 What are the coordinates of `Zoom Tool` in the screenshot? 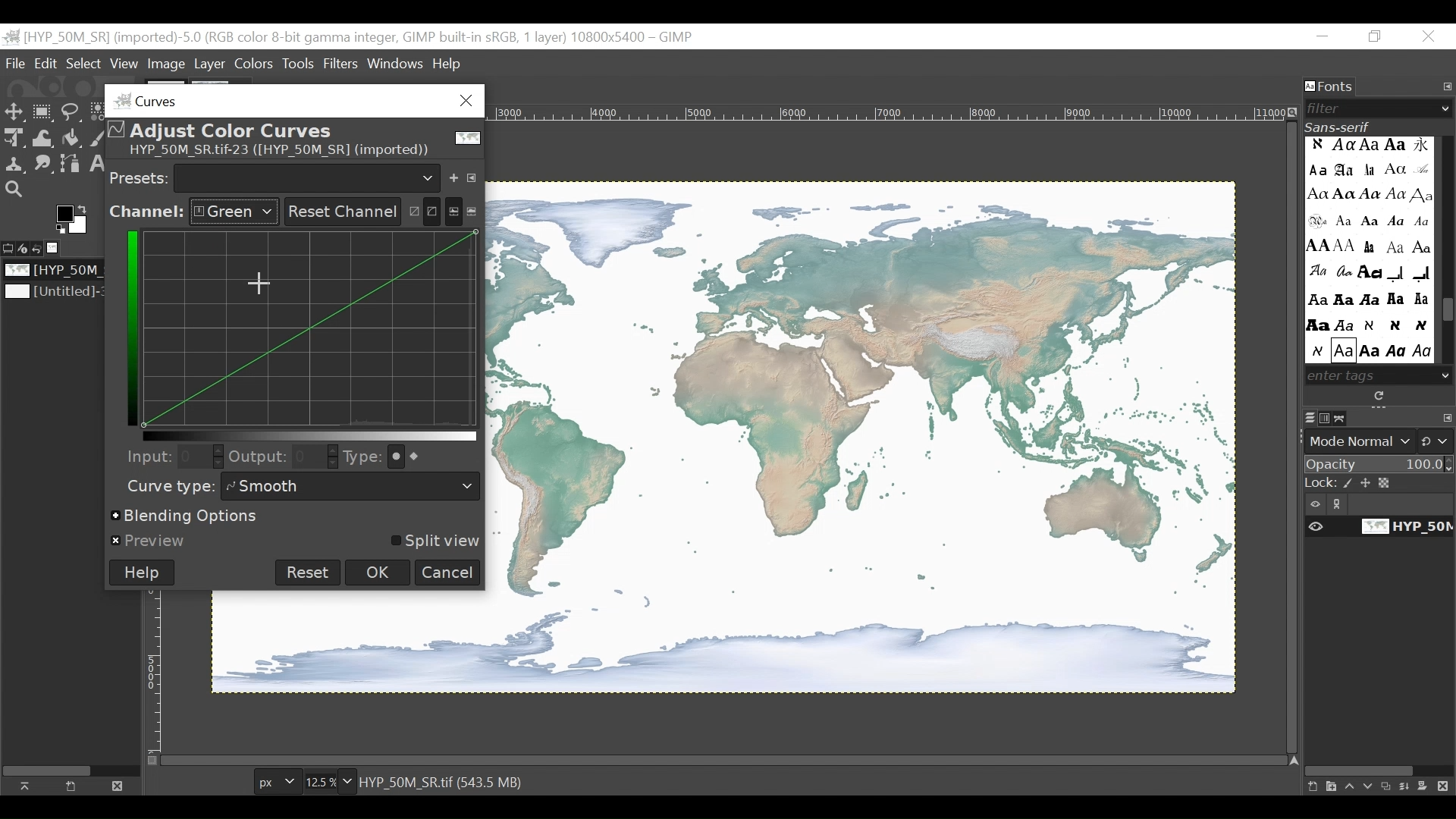 It's located at (15, 190).